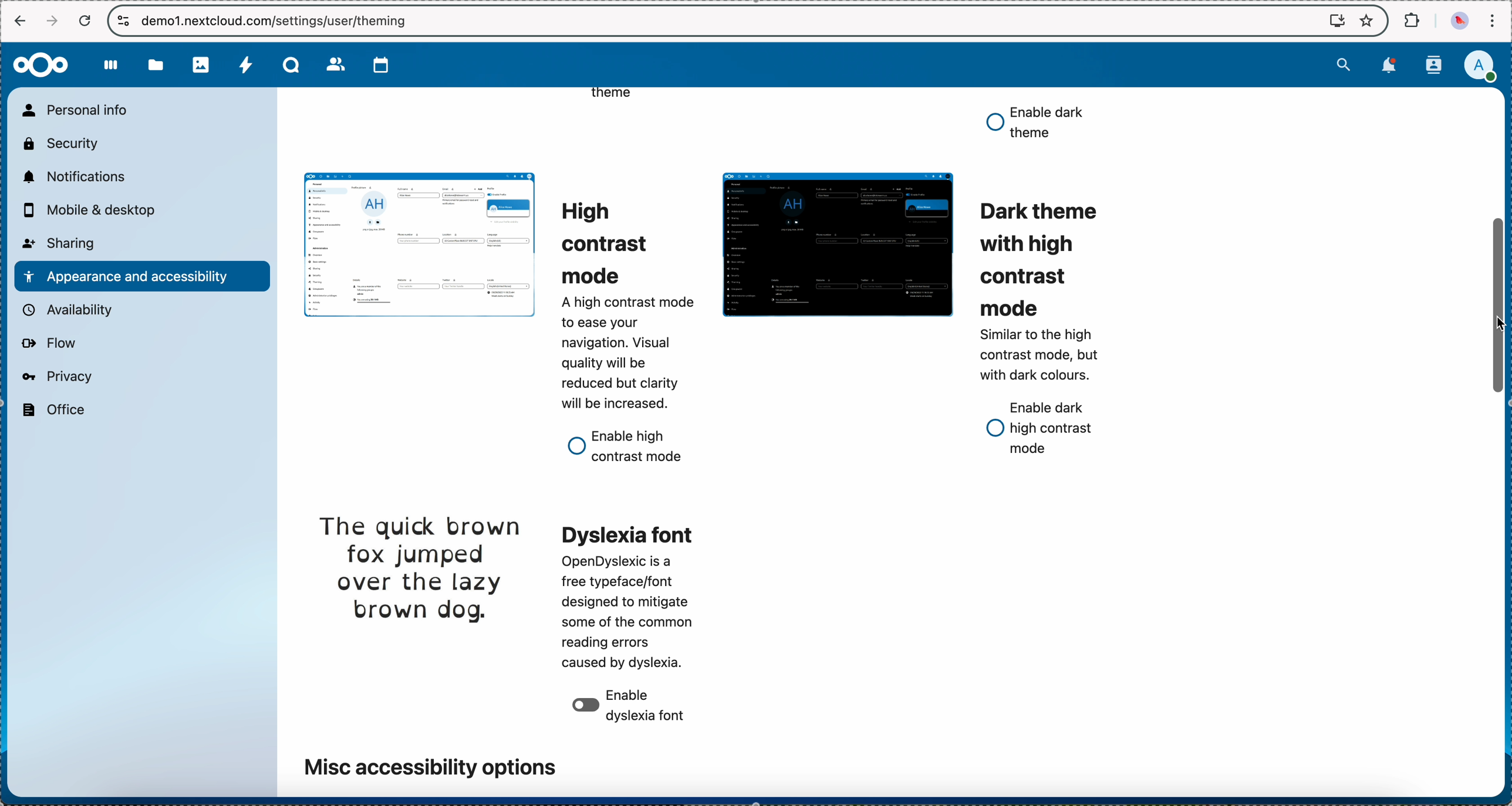 This screenshot has height=806, width=1512. What do you see at coordinates (626, 353) in the screenshot?
I see `description` at bounding box center [626, 353].